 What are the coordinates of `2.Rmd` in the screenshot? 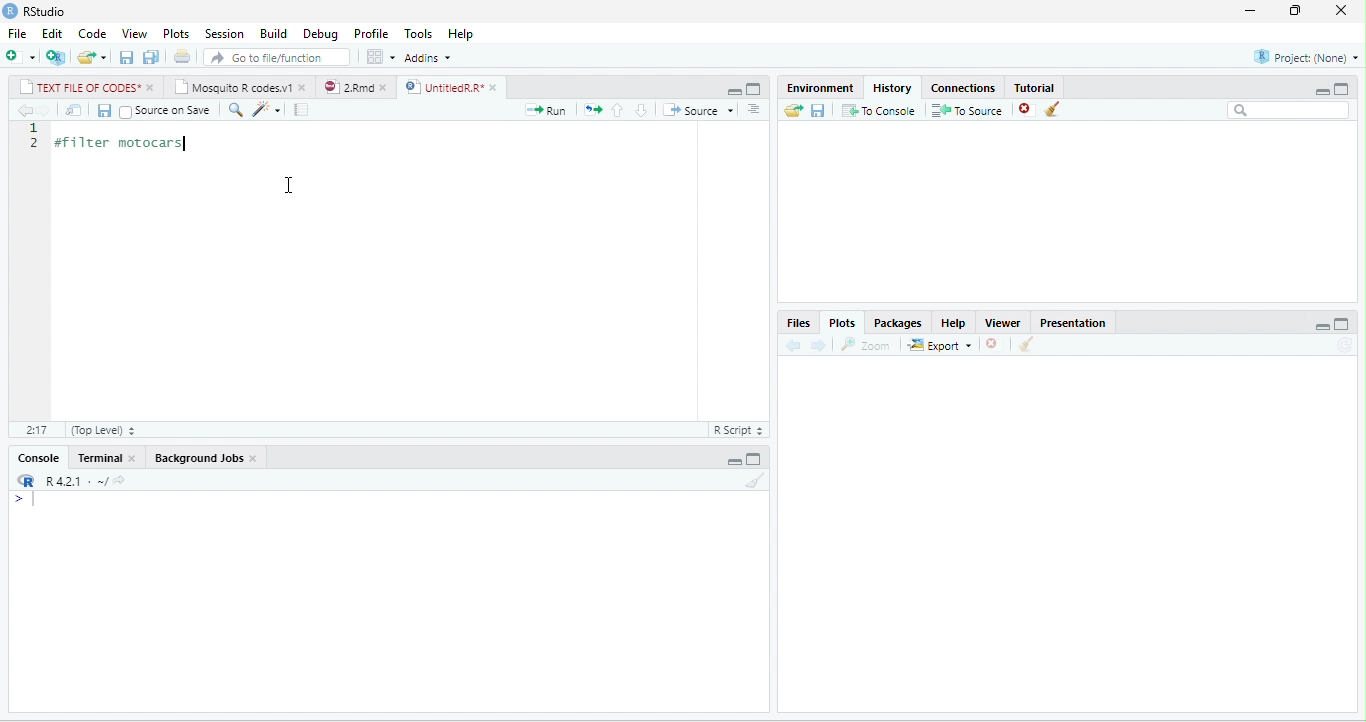 It's located at (348, 87).